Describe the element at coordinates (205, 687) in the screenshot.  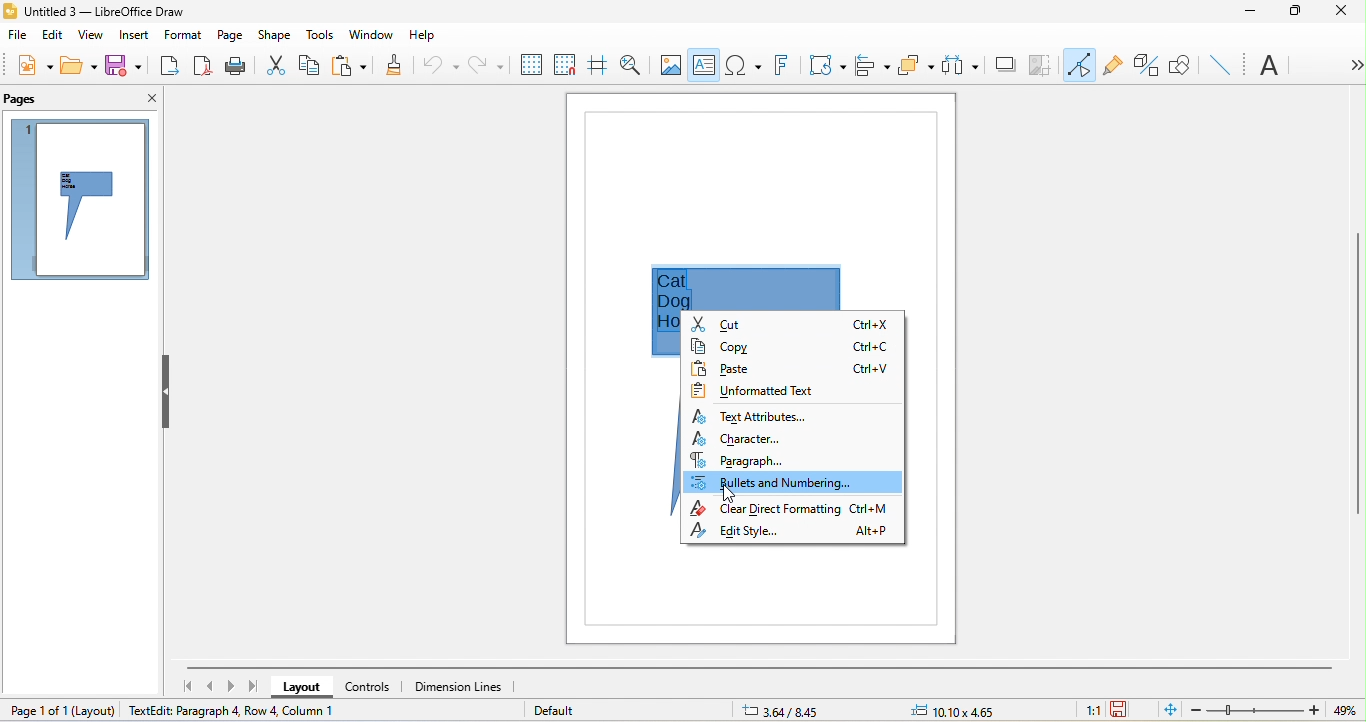
I see `previous page` at that location.